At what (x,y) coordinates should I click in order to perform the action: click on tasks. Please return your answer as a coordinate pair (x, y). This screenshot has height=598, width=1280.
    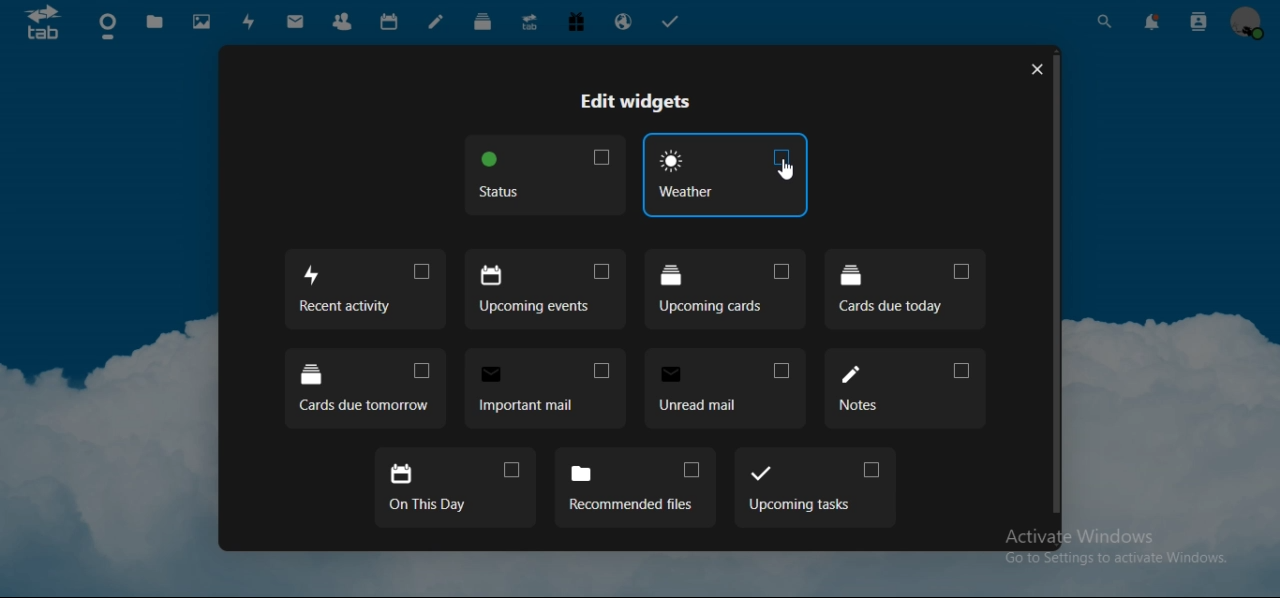
    Looking at the image, I should click on (669, 22).